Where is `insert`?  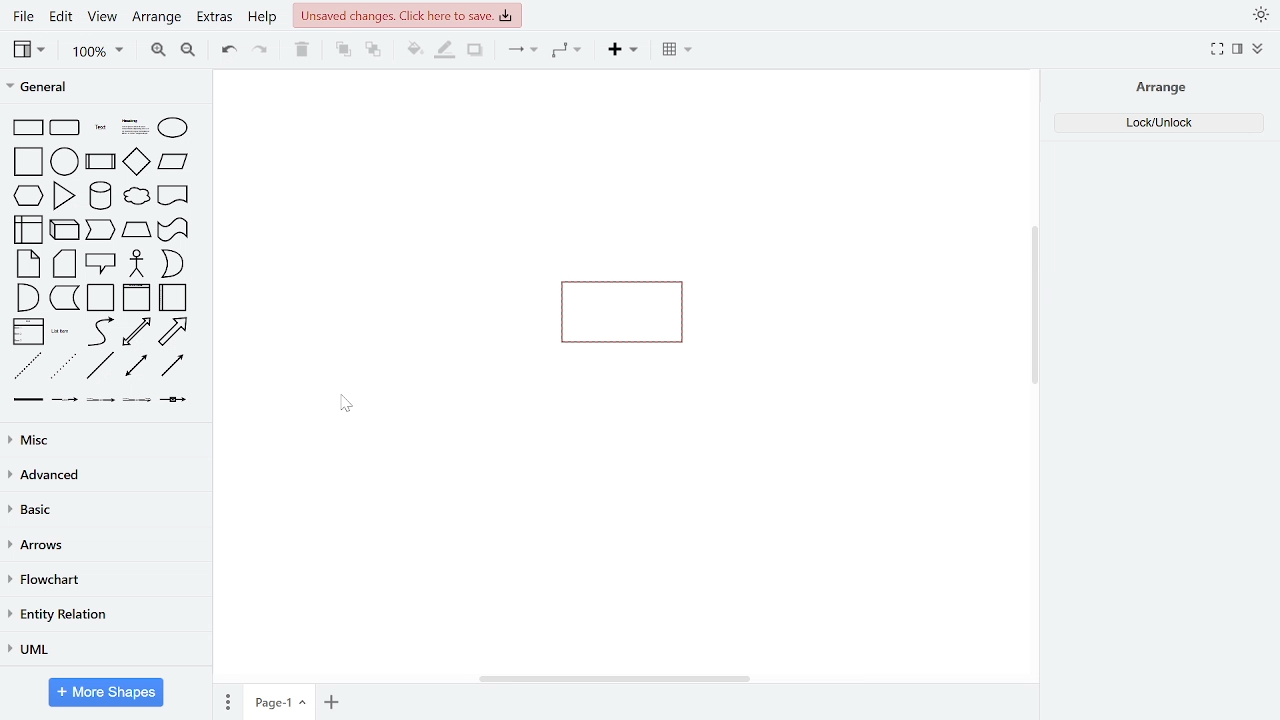 insert is located at coordinates (624, 50).